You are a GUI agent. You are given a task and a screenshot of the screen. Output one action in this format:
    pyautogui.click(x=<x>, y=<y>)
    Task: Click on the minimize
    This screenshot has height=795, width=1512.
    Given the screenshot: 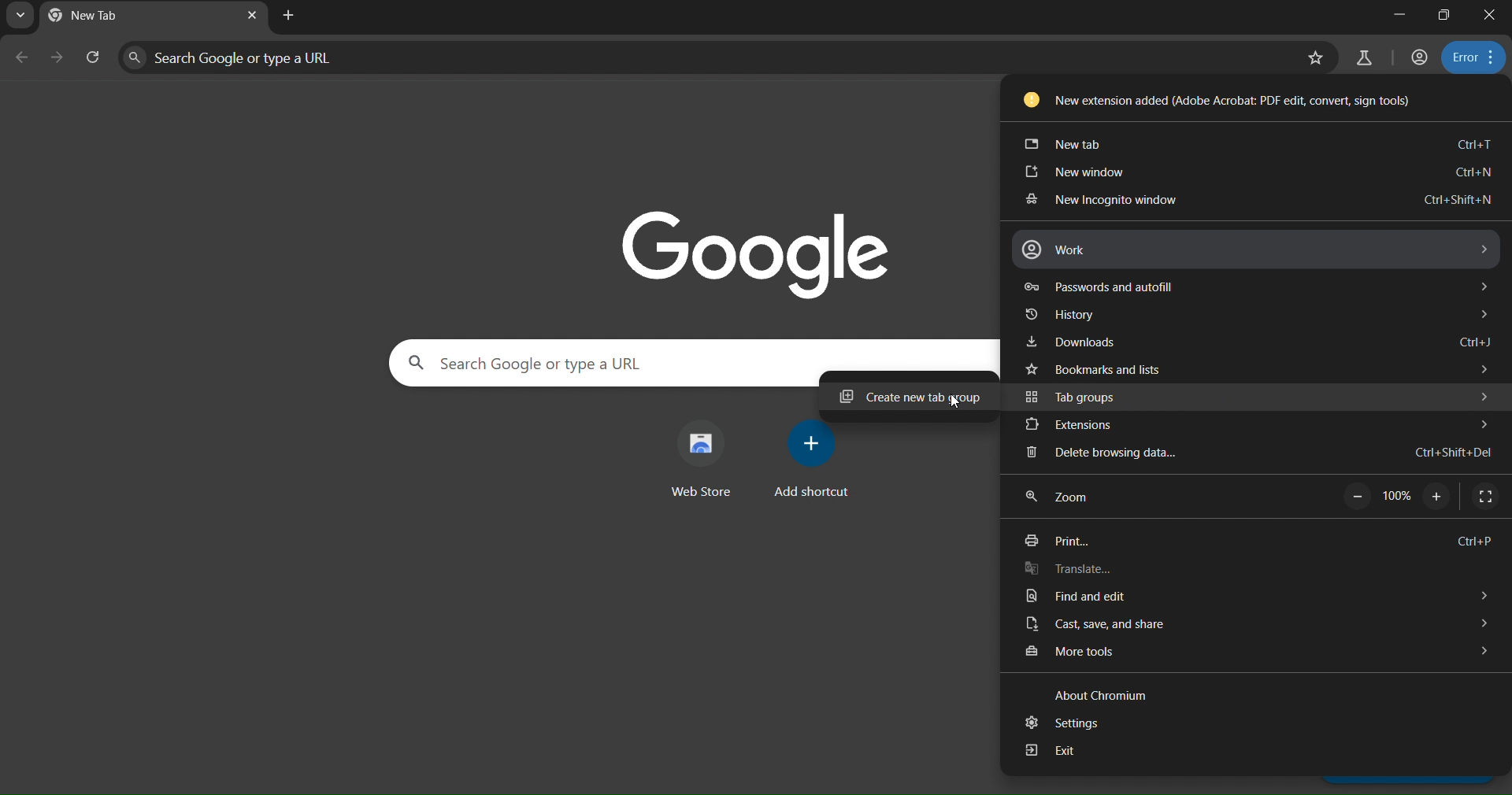 What is the action you would take?
    pyautogui.click(x=1400, y=14)
    